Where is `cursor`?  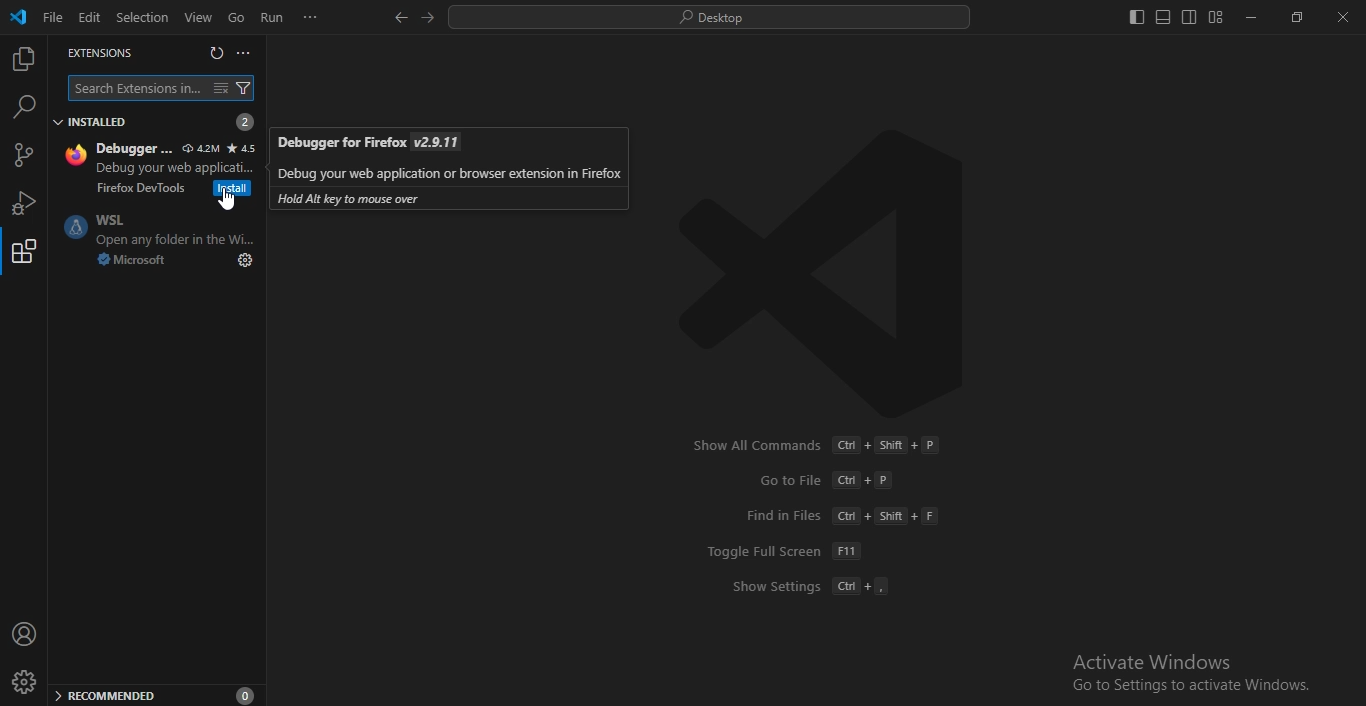 cursor is located at coordinates (226, 200).